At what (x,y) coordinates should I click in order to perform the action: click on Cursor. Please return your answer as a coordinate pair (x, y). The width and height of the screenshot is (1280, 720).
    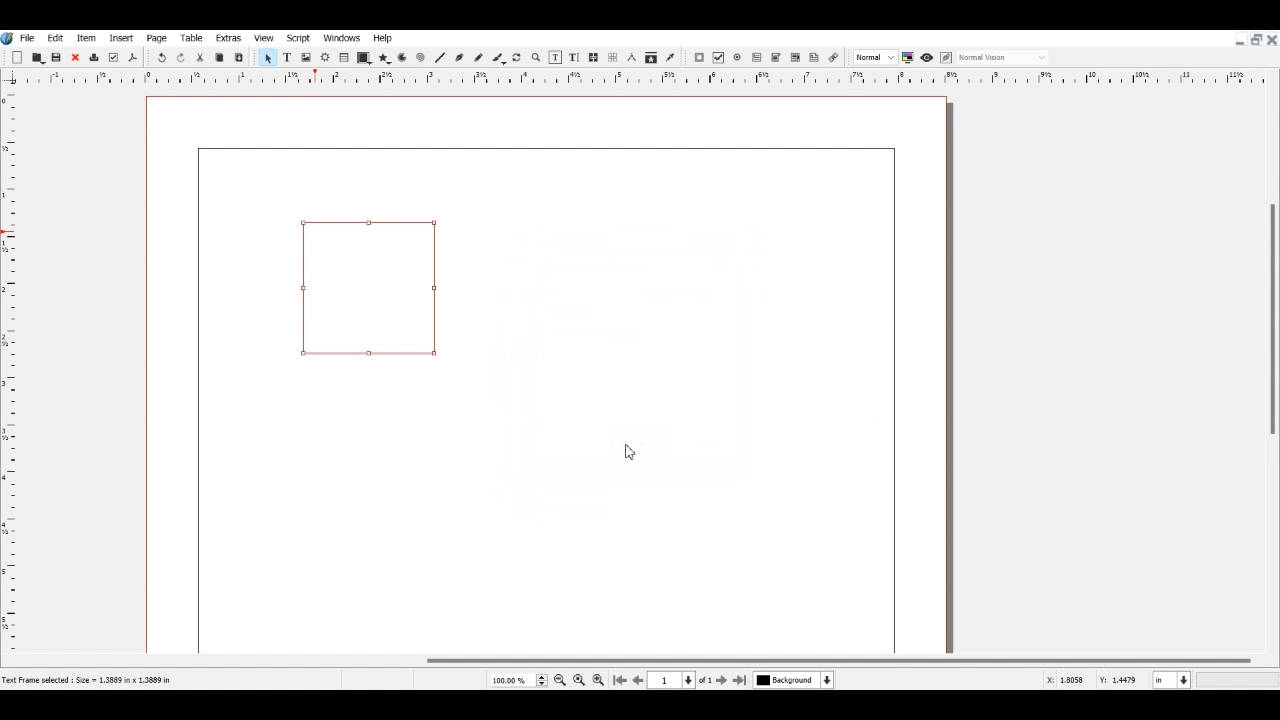
    Looking at the image, I should click on (626, 454).